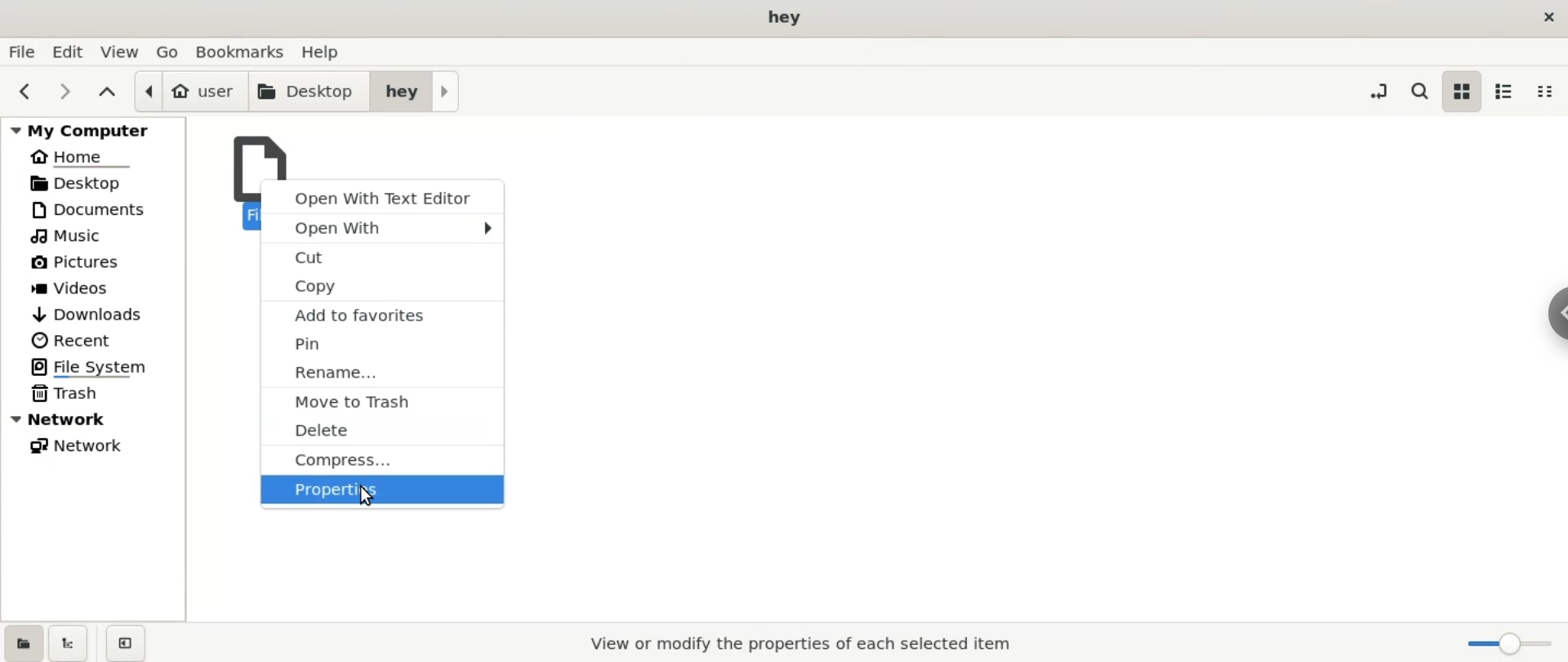  Describe the element at coordinates (328, 51) in the screenshot. I see `help` at that location.